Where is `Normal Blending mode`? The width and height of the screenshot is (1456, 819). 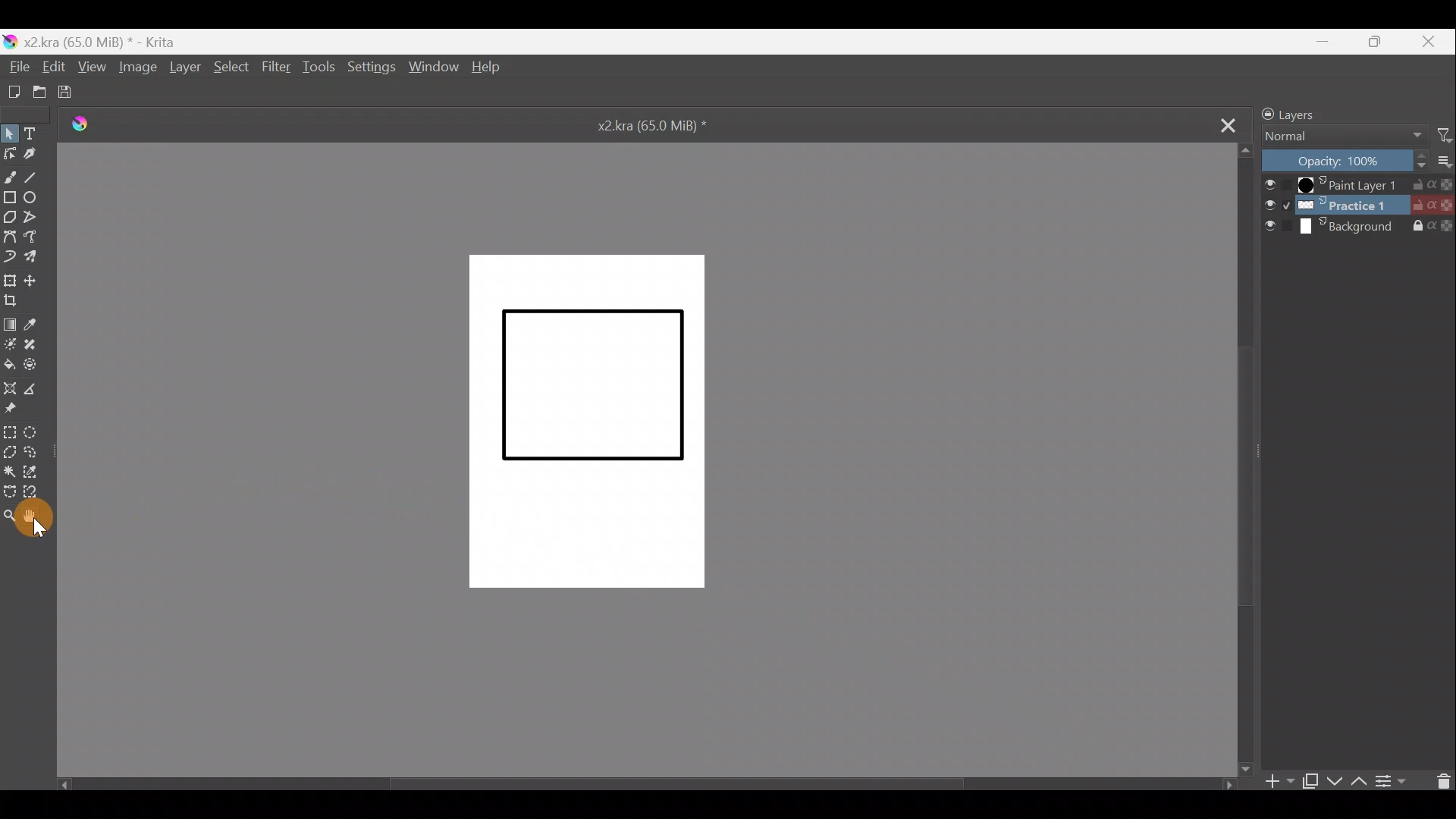 Normal Blending mode is located at coordinates (1337, 136).